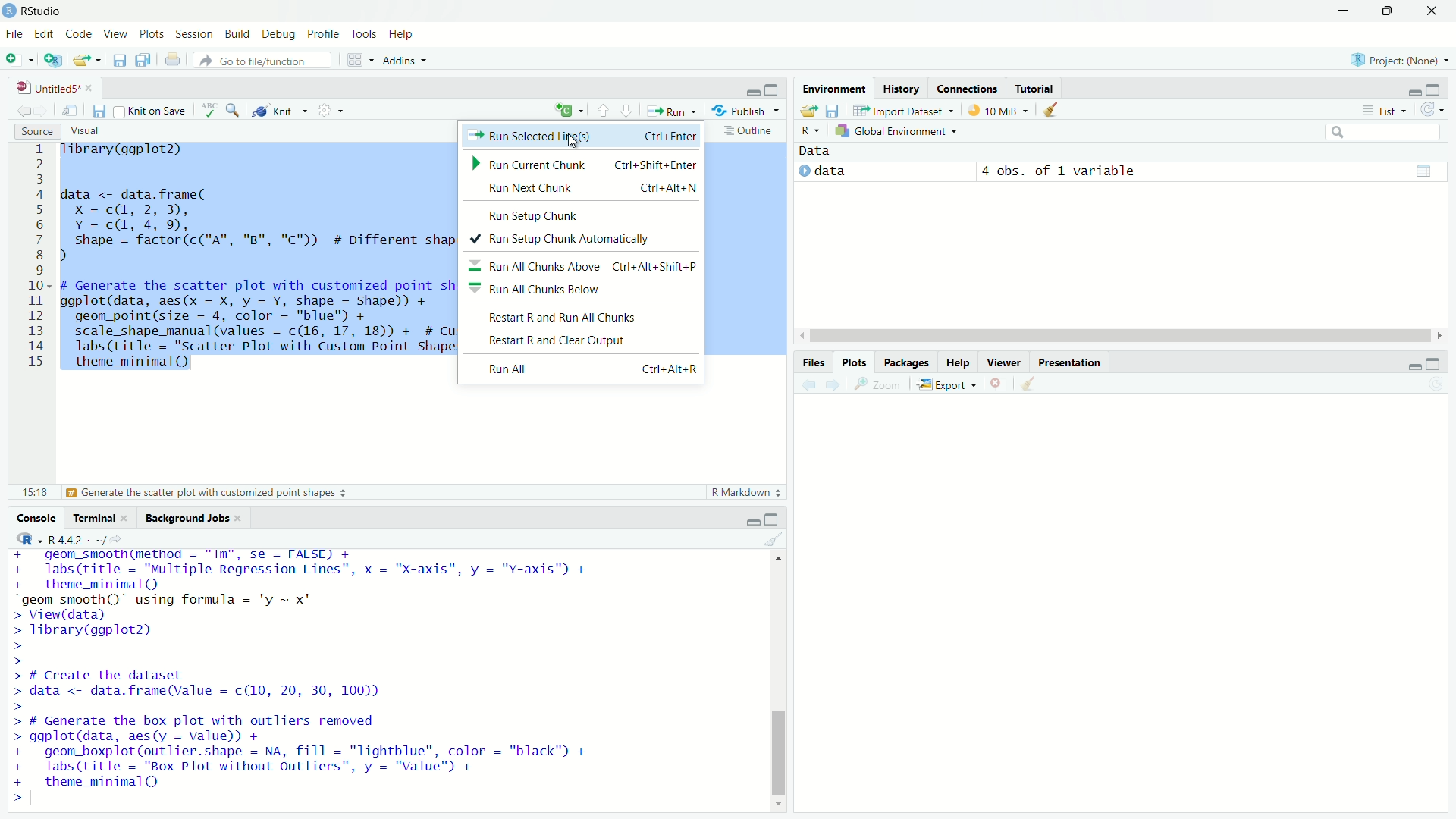  What do you see at coordinates (1433, 89) in the screenshot?
I see `maximize` at bounding box center [1433, 89].